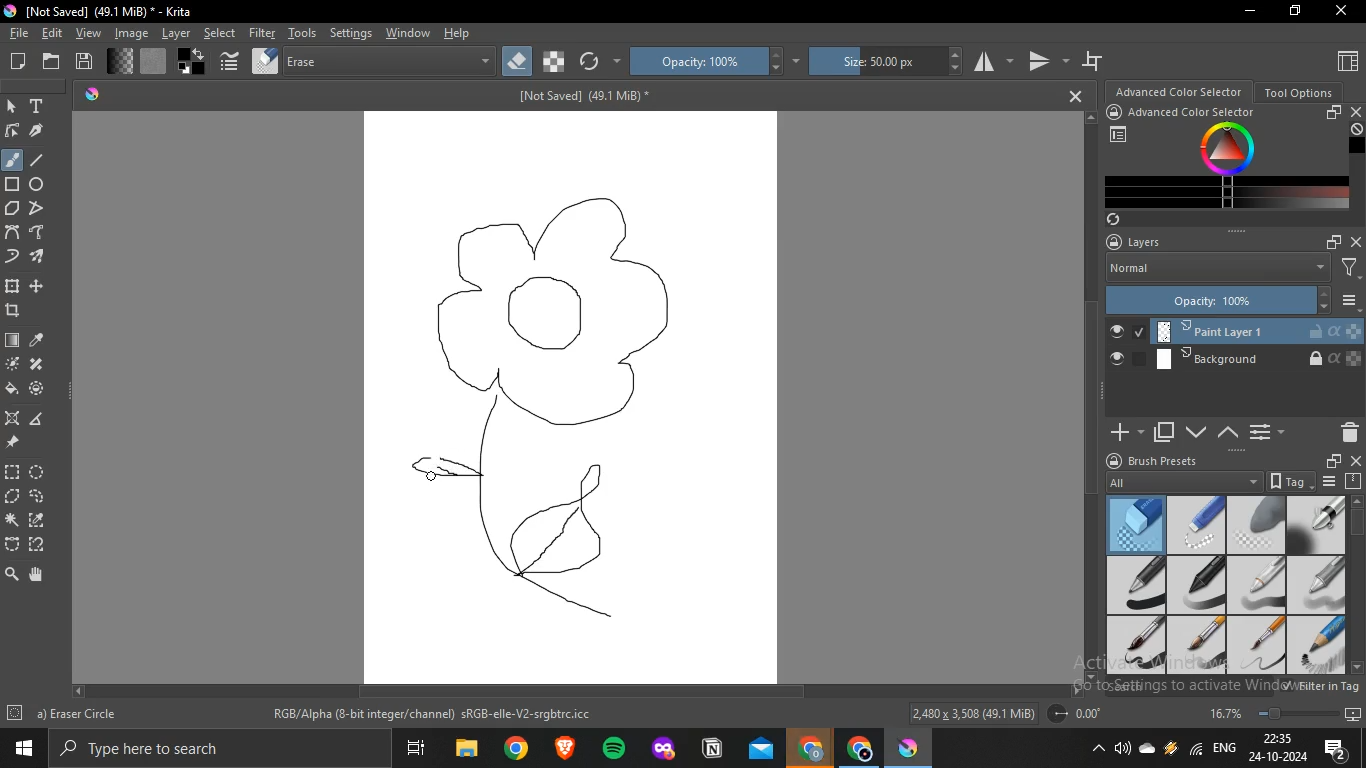 This screenshot has height=768, width=1366. I want to click on Chosose workspace, so click(1120, 135).